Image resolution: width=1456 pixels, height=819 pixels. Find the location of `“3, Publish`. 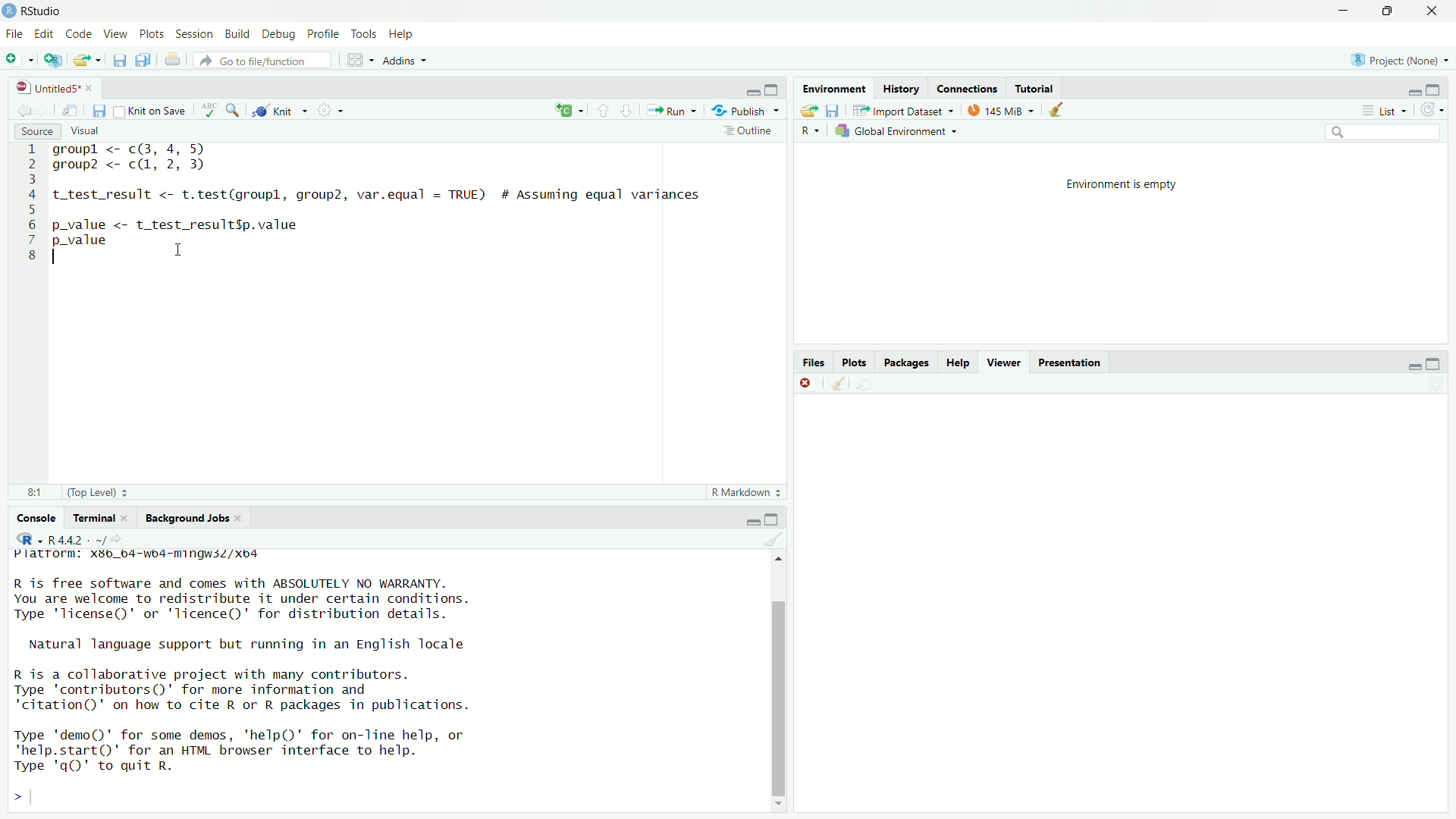

“3, Publish is located at coordinates (739, 108).